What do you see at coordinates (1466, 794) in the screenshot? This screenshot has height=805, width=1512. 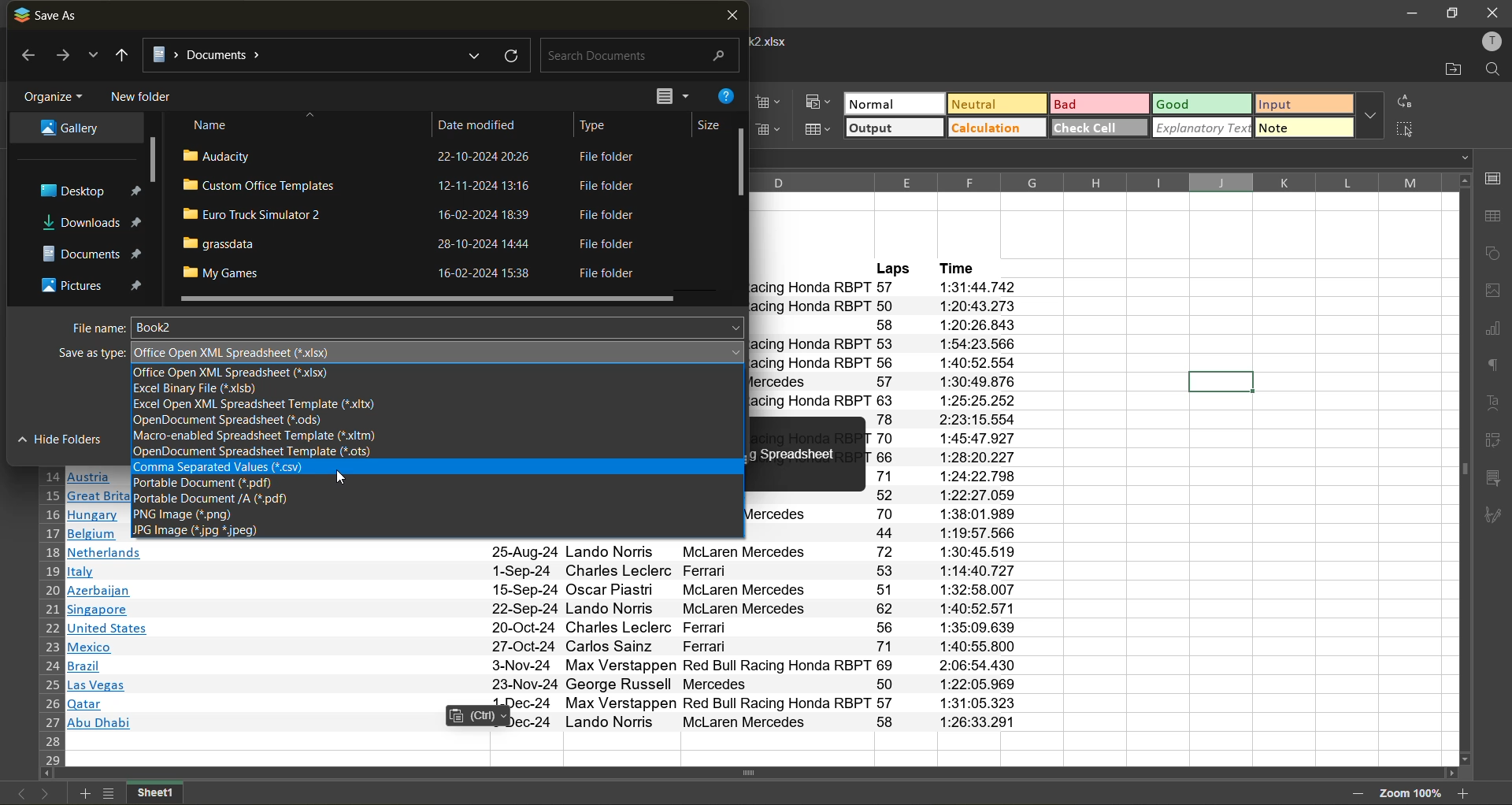 I see `zoom in` at bounding box center [1466, 794].